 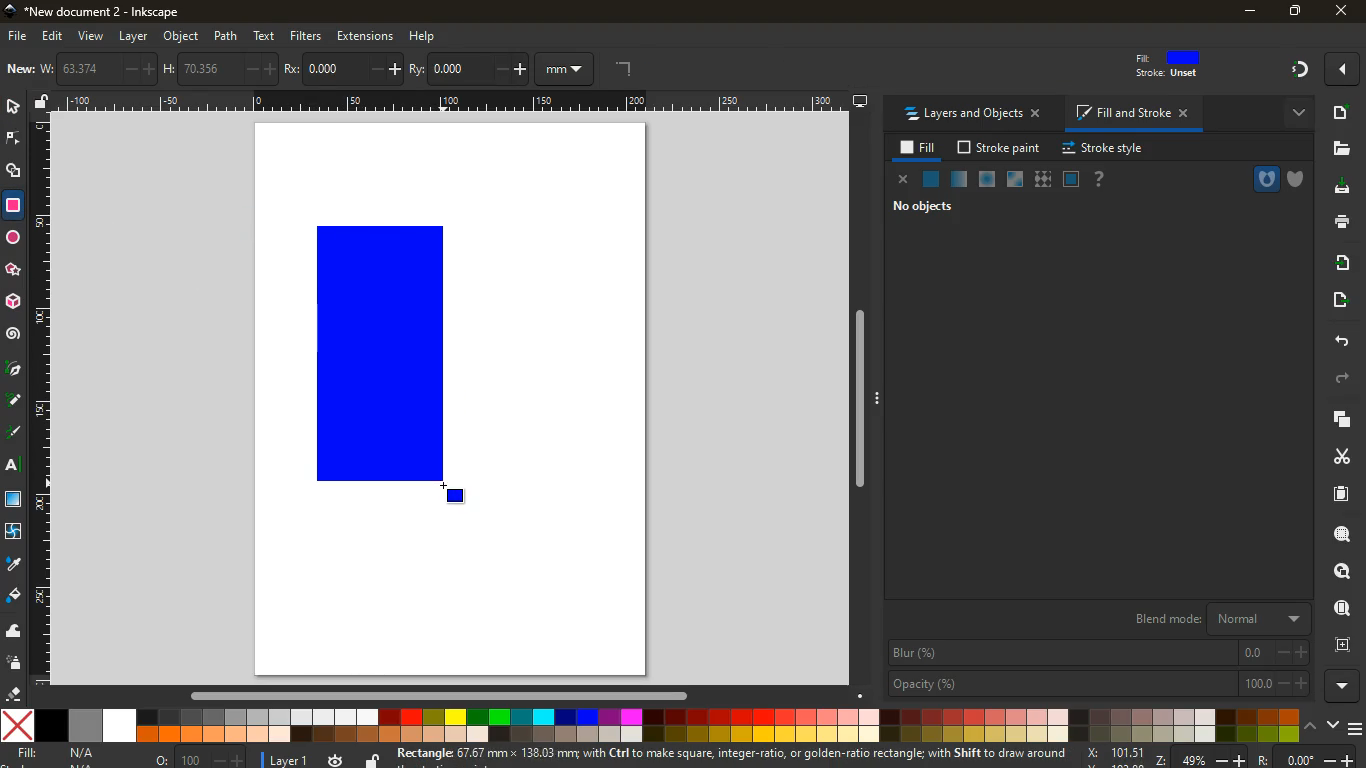 What do you see at coordinates (55, 37) in the screenshot?
I see `edit` at bounding box center [55, 37].